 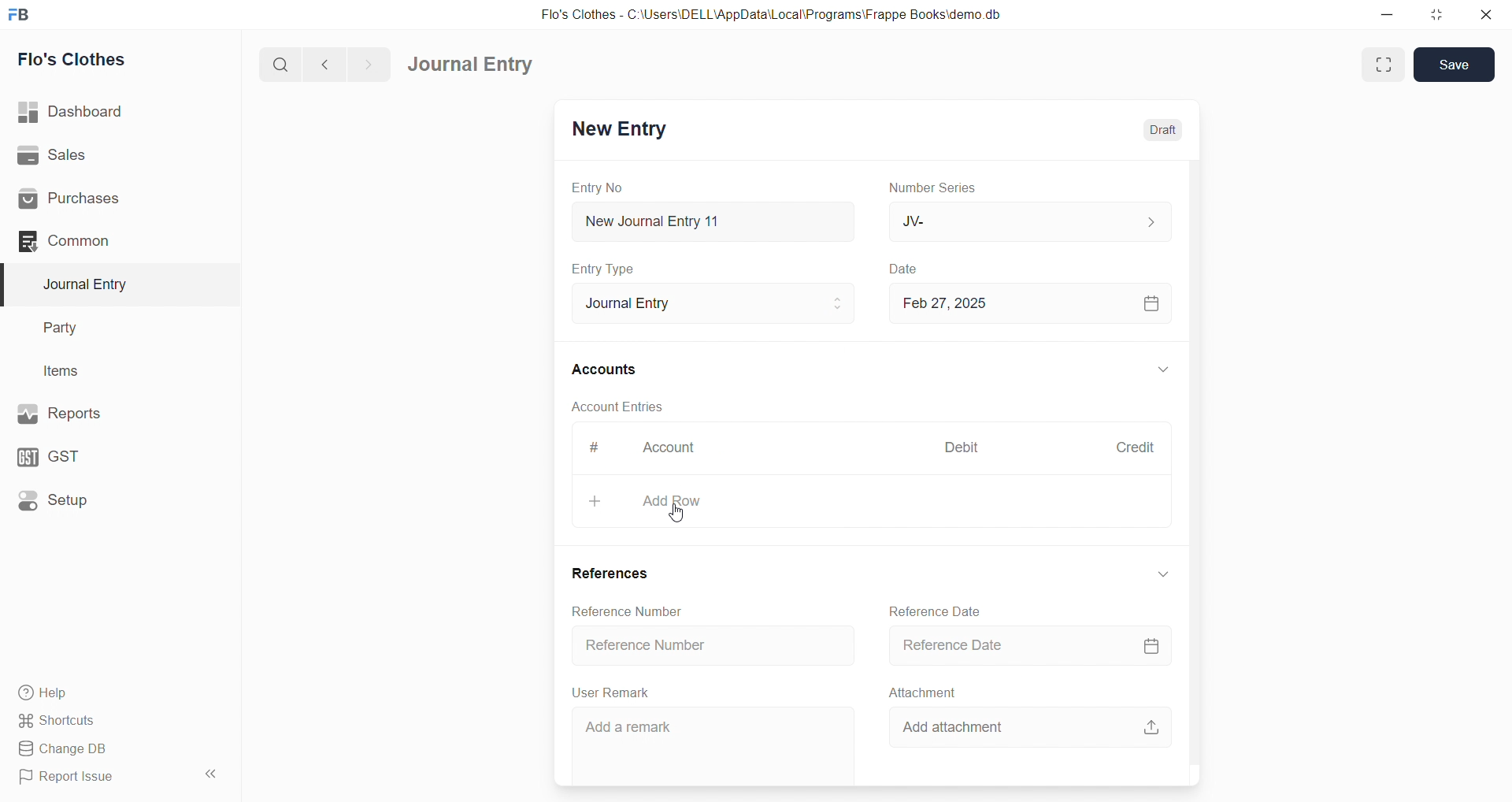 I want to click on New Entry, so click(x=622, y=130).